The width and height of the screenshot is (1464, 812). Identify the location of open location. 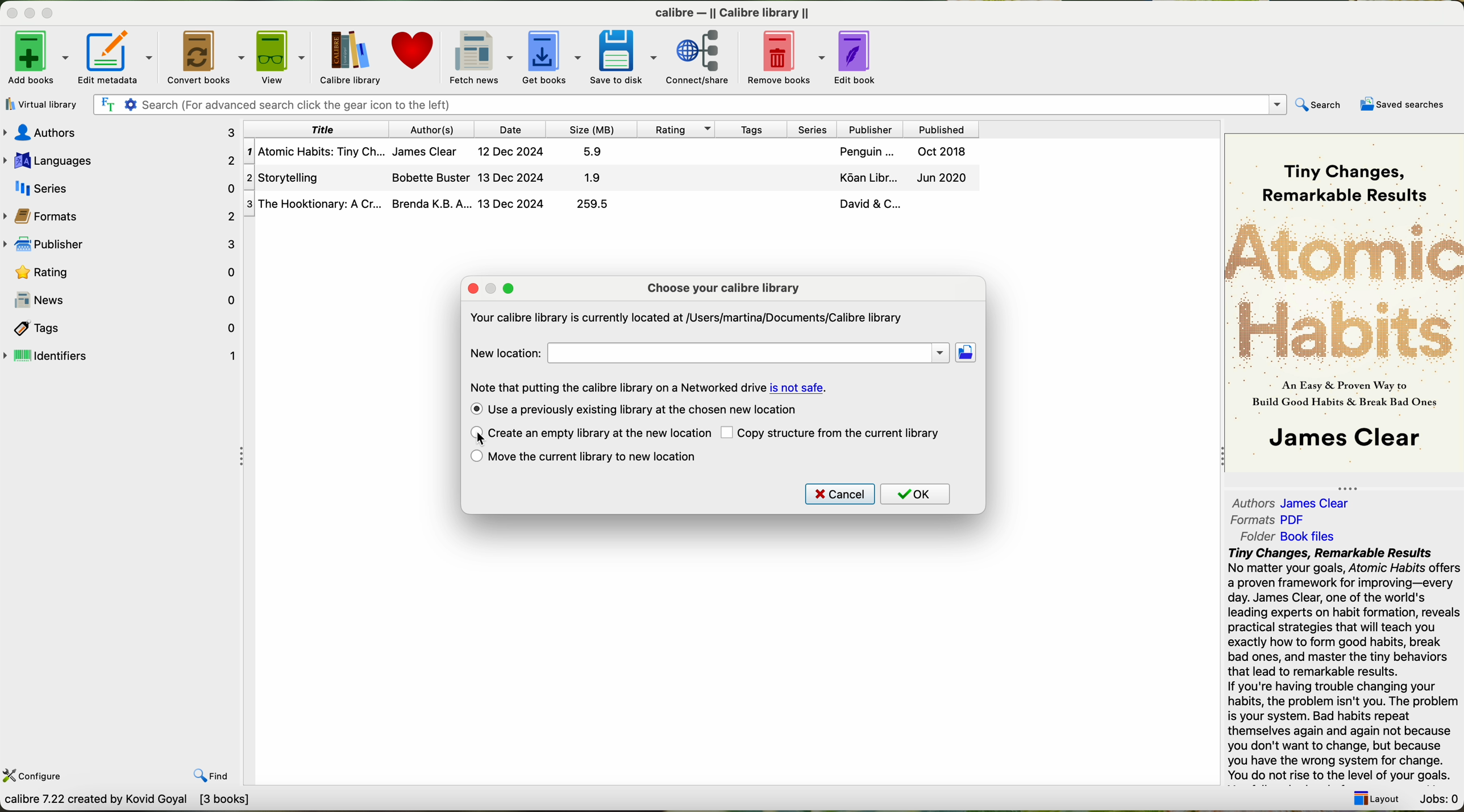
(967, 352).